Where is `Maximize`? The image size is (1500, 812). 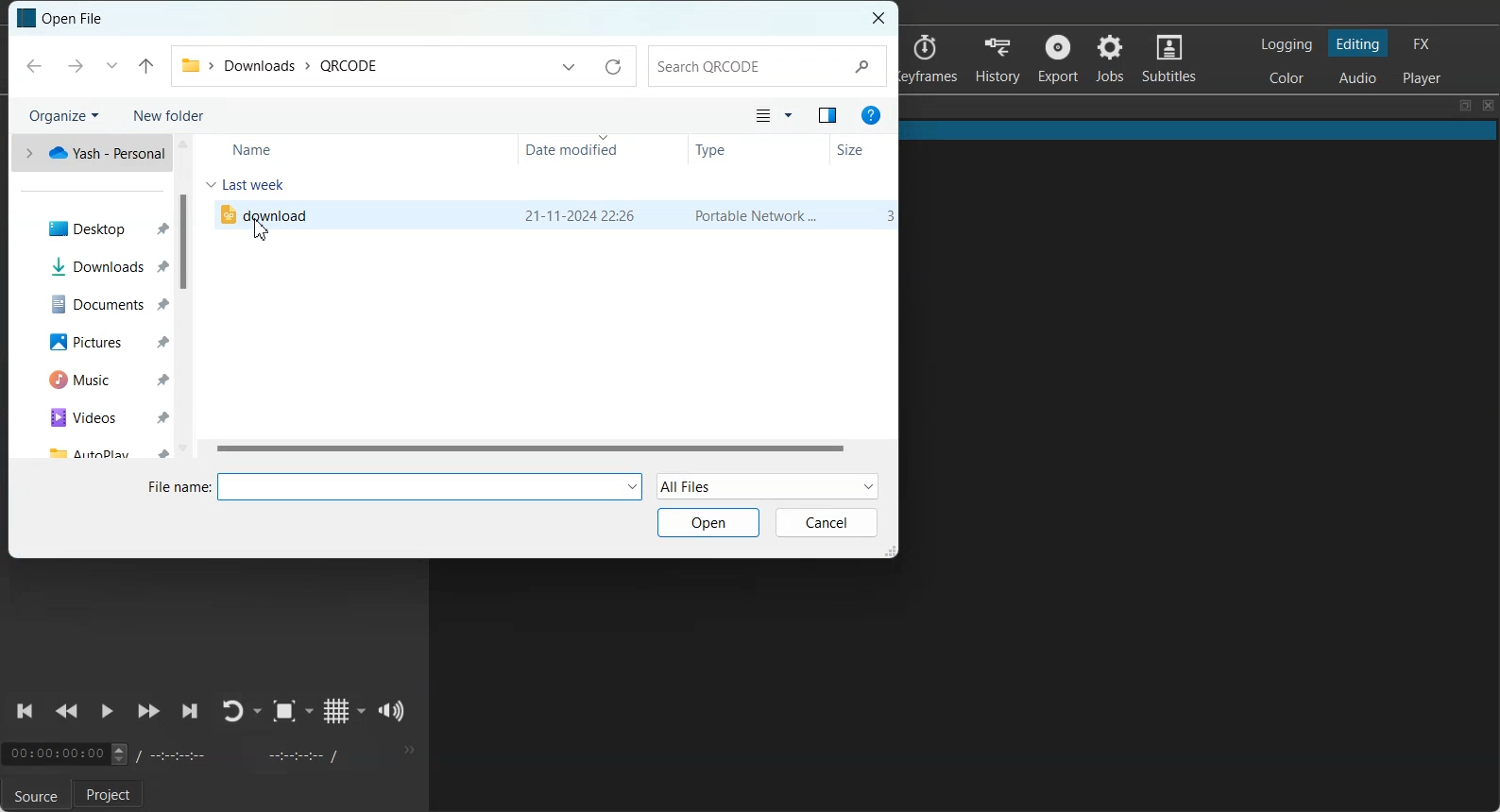 Maximize is located at coordinates (1465, 106).